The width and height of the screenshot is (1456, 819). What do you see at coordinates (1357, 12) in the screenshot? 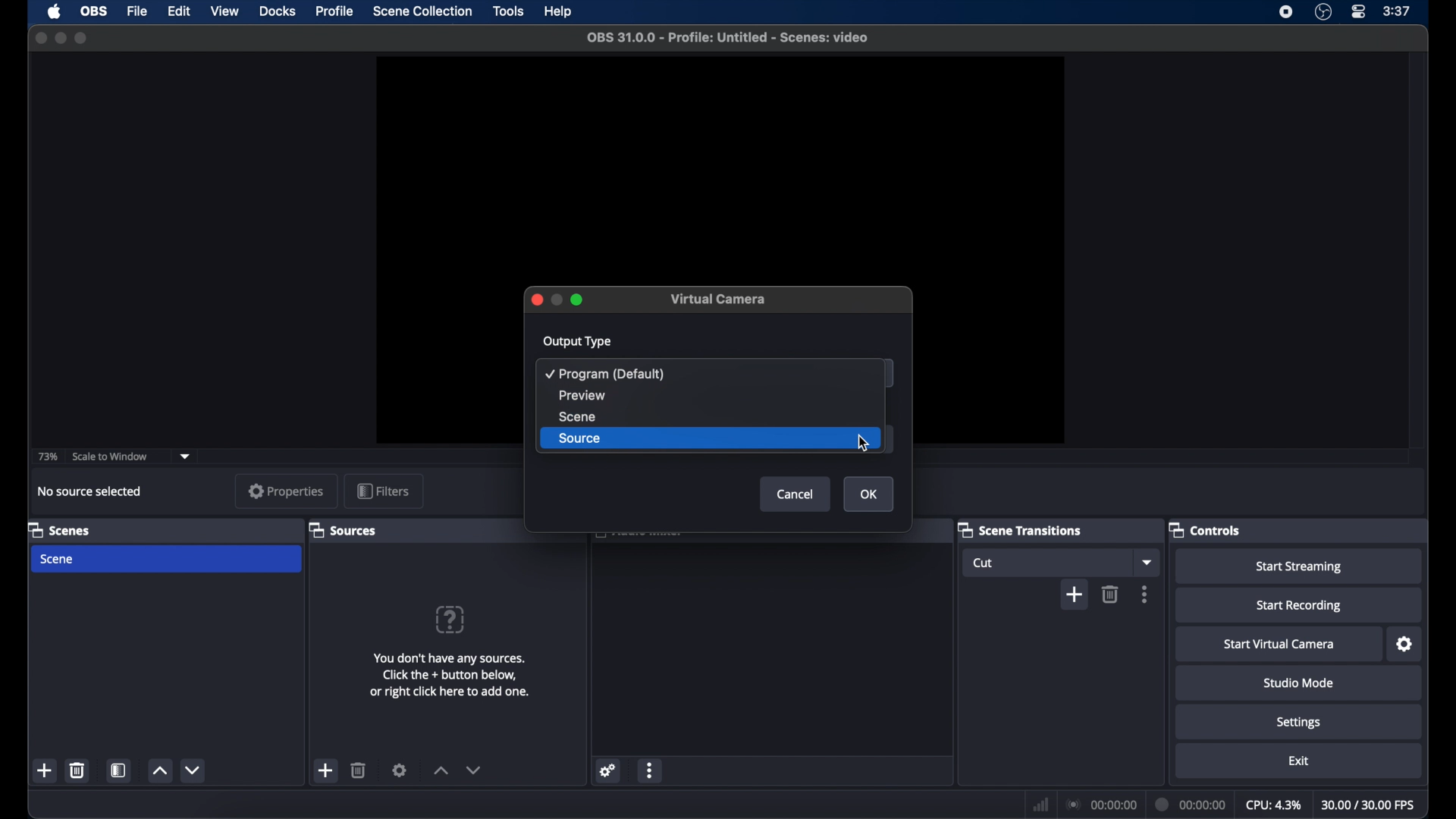
I see `control center` at bounding box center [1357, 12].